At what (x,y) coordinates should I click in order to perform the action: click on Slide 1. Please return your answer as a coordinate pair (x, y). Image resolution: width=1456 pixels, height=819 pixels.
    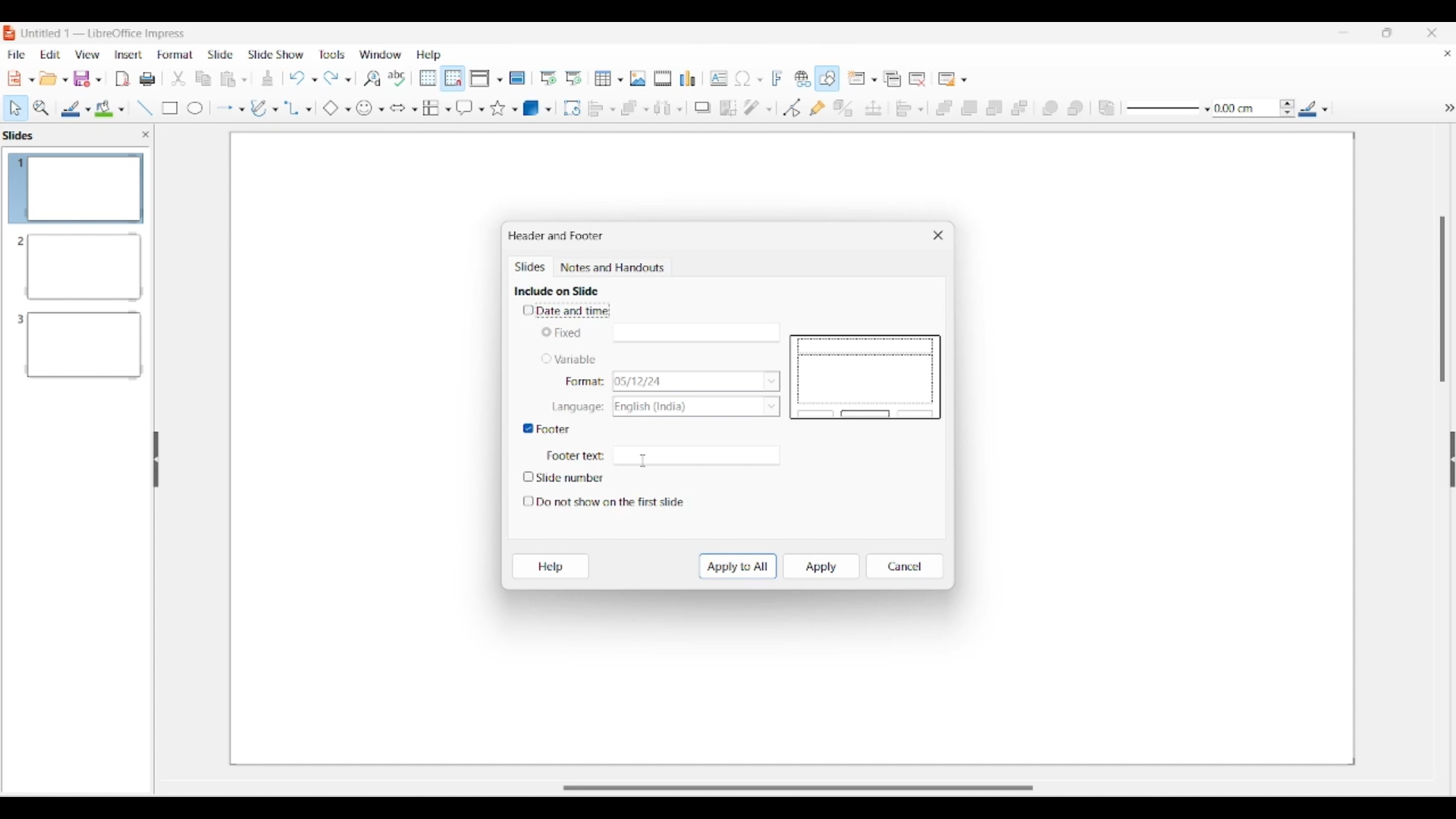
    Looking at the image, I should click on (78, 188).